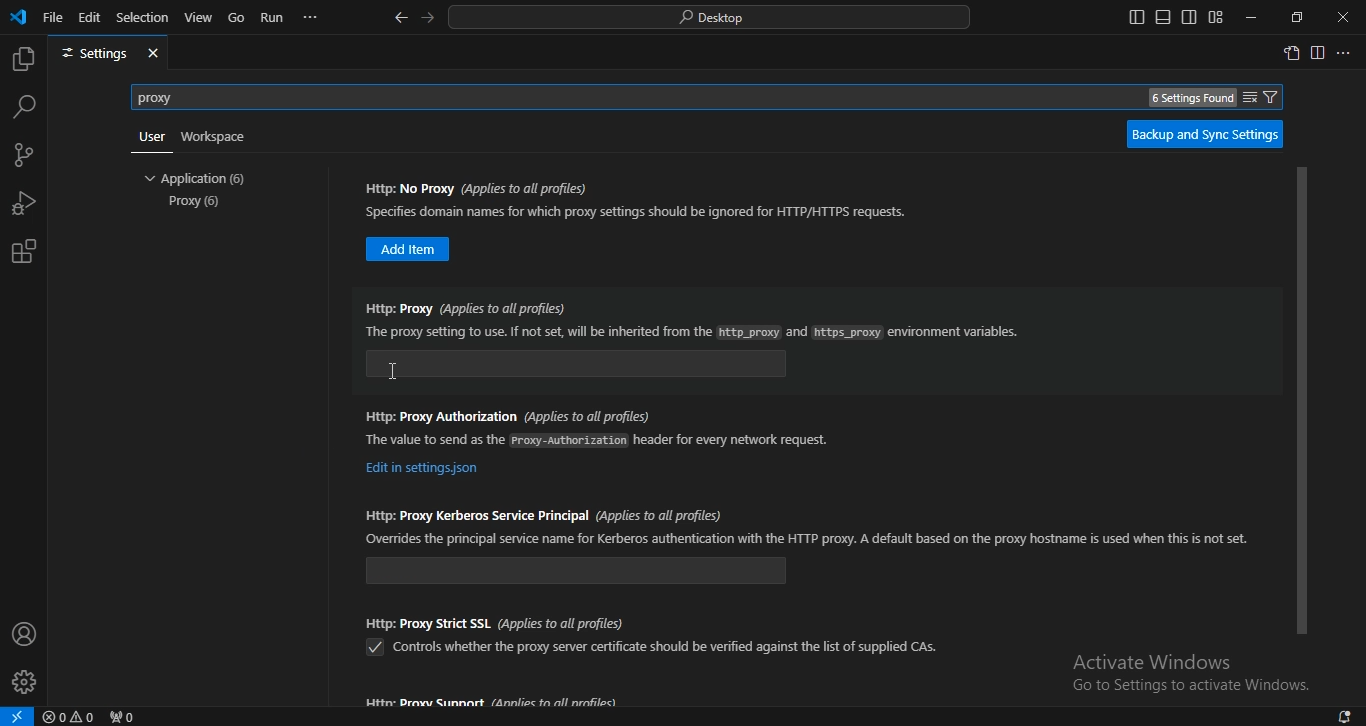 The width and height of the screenshot is (1366, 726). I want to click on proxy, so click(197, 203).